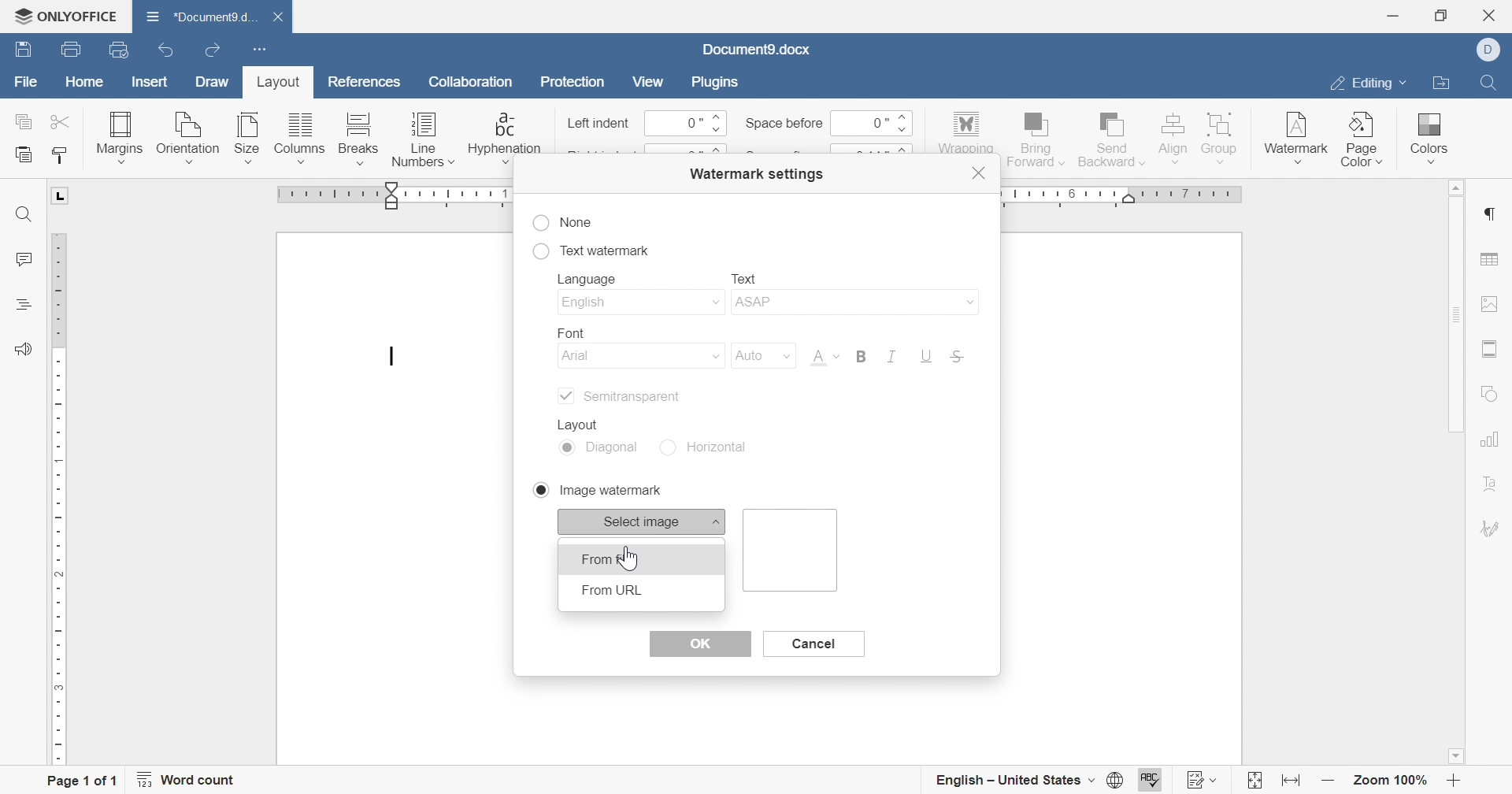 Image resolution: width=1512 pixels, height=794 pixels. Describe the element at coordinates (27, 86) in the screenshot. I see `file` at that location.